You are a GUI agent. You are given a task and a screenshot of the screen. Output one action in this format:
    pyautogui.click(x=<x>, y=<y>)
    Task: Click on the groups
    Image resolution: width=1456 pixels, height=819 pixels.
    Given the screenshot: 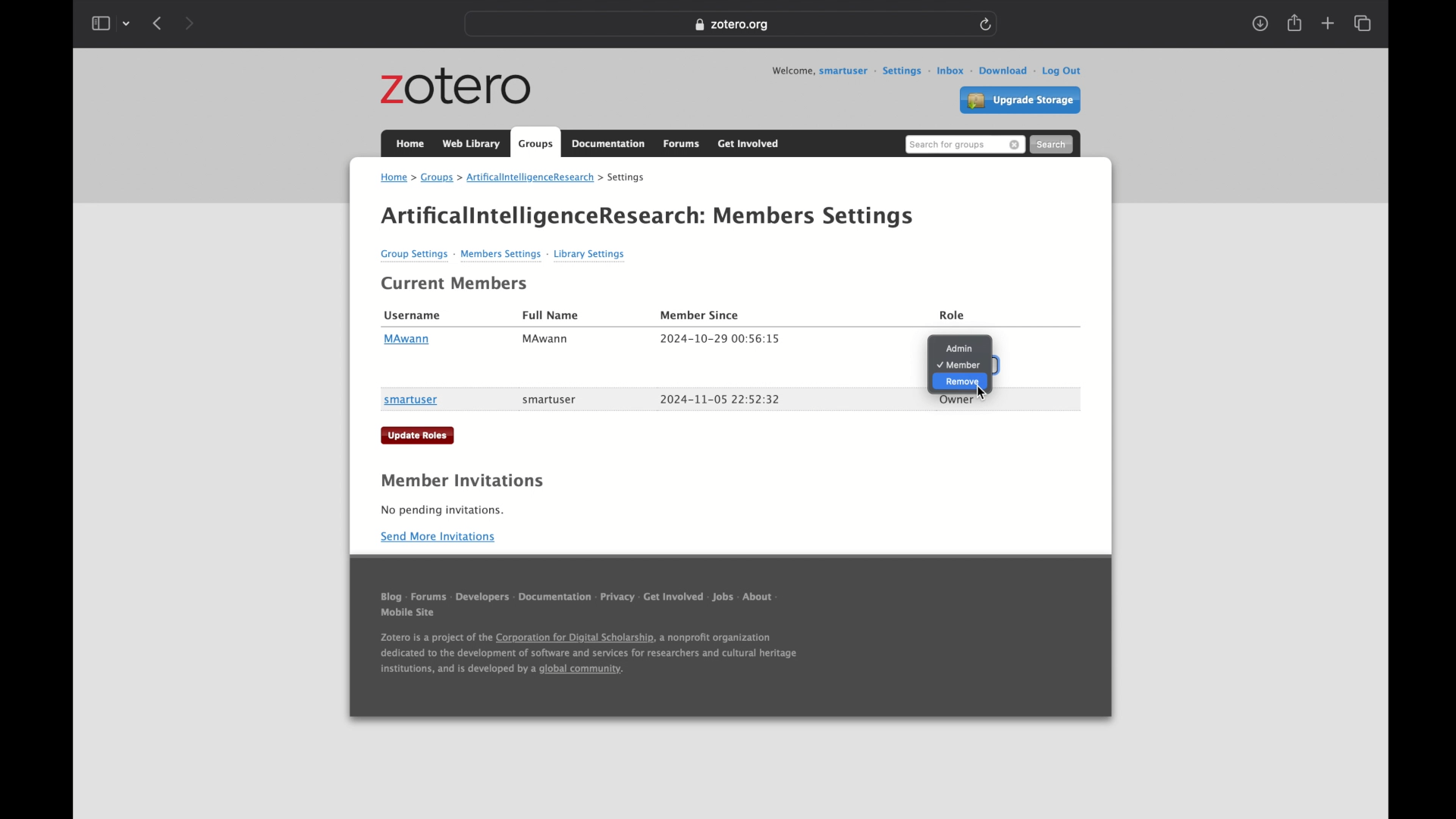 What is the action you would take?
    pyautogui.click(x=536, y=142)
    